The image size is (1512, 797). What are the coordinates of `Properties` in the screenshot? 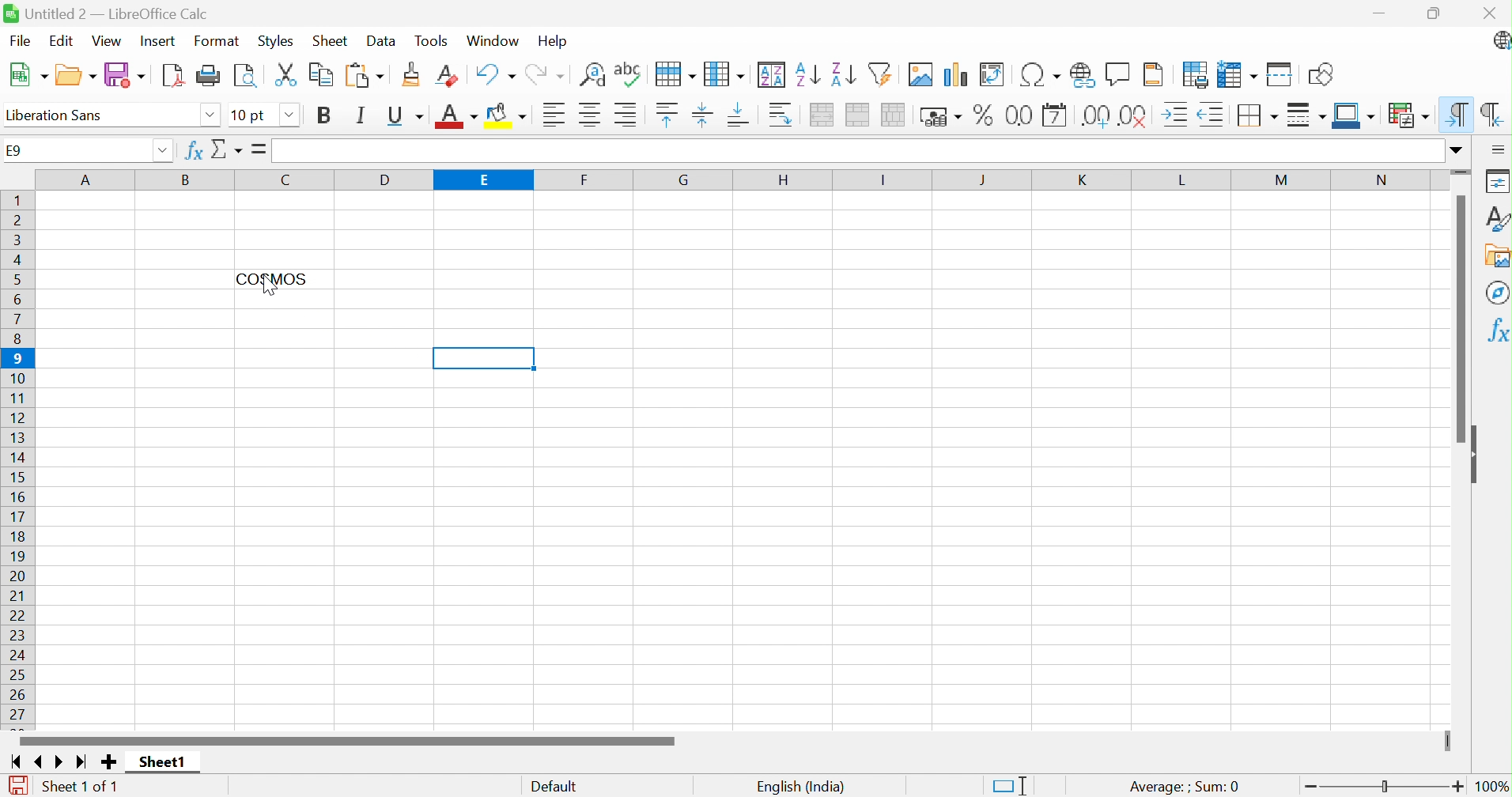 It's located at (1499, 179).